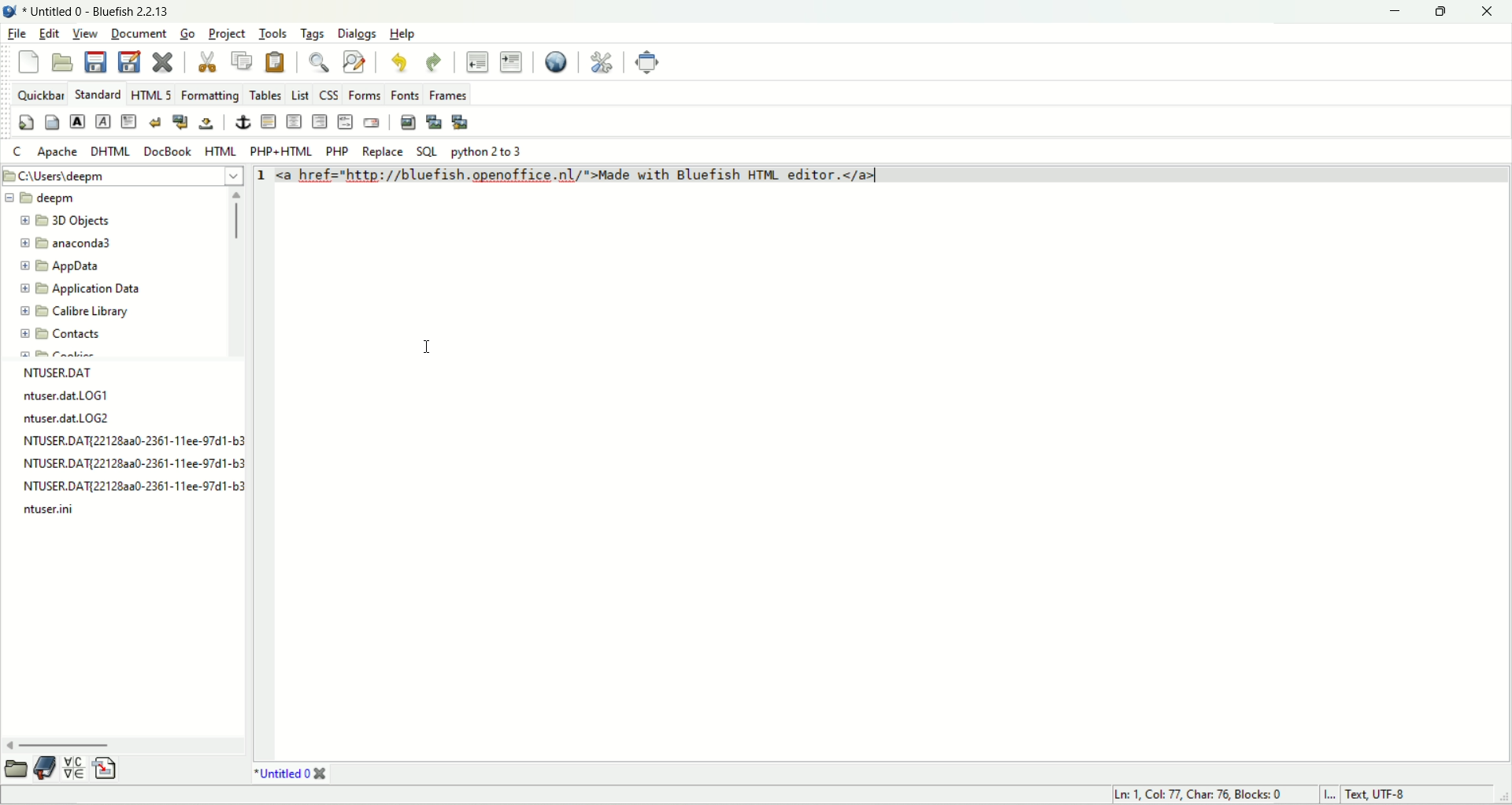  Describe the element at coordinates (474, 61) in the screenshot. I see `unindent` at that location.